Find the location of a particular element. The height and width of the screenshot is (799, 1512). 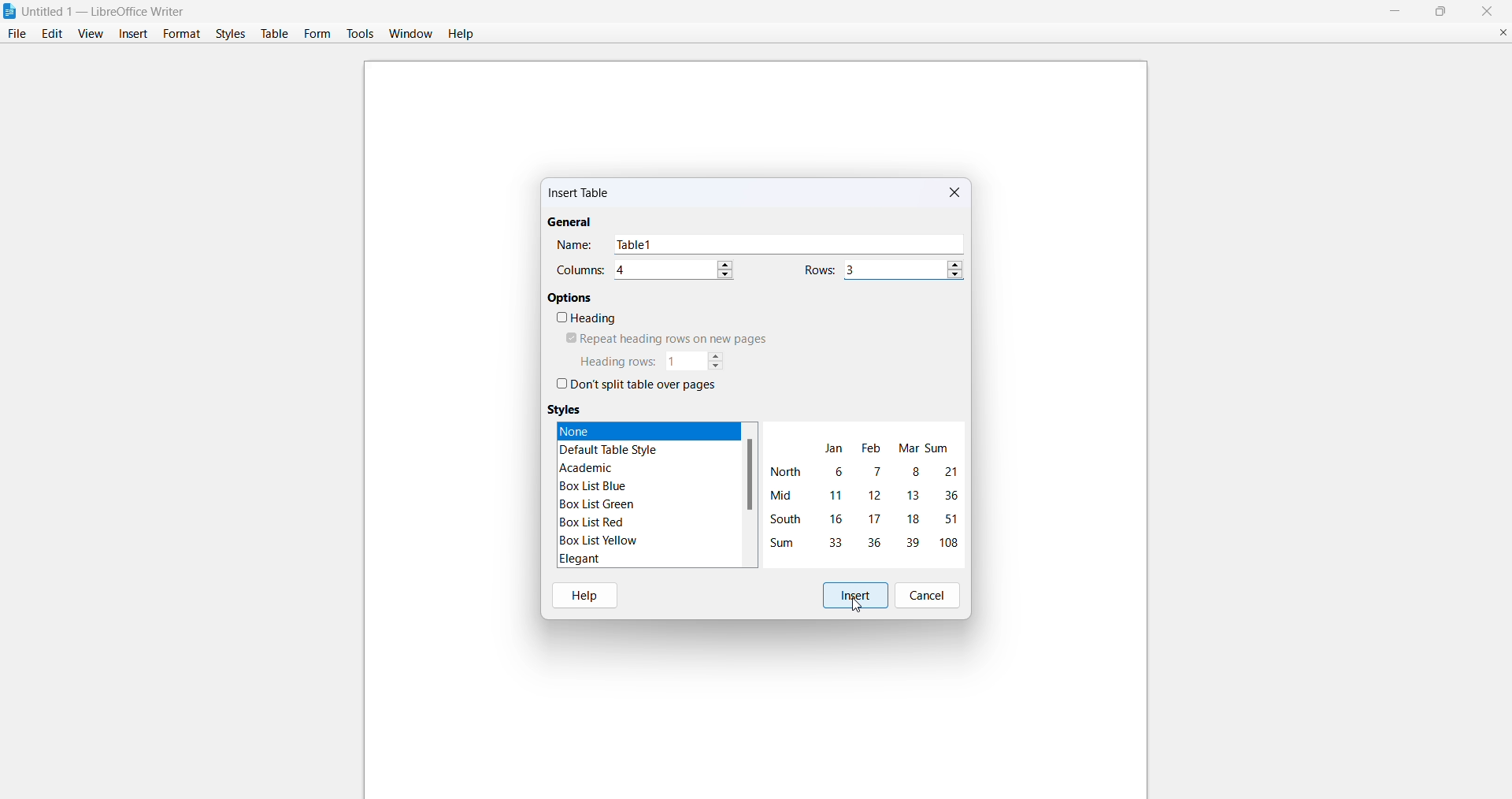

edit is located at coordinates (50, 34).